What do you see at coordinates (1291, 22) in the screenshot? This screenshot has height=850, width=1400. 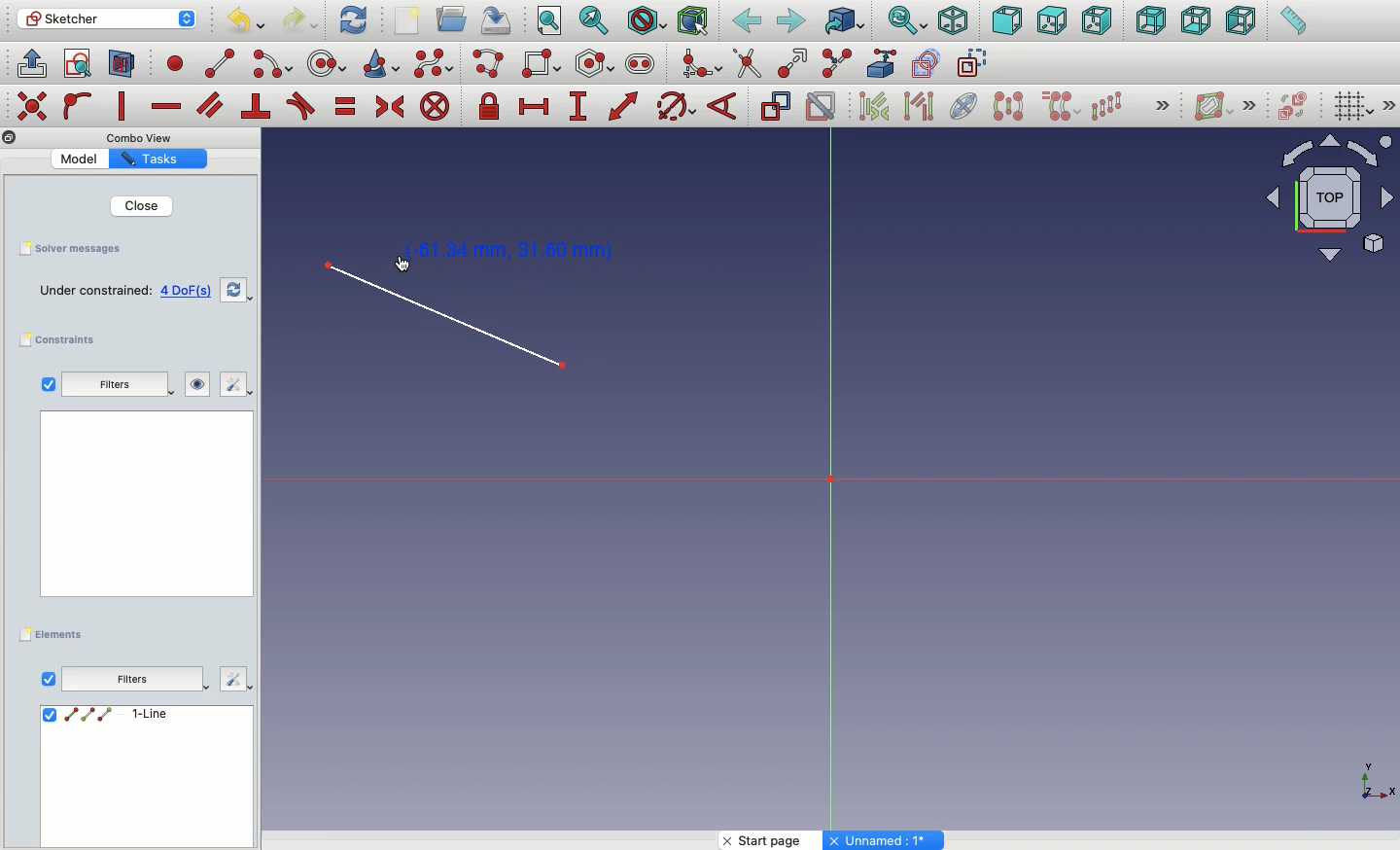 I see `Measure` at bounding box center [1291, 22].